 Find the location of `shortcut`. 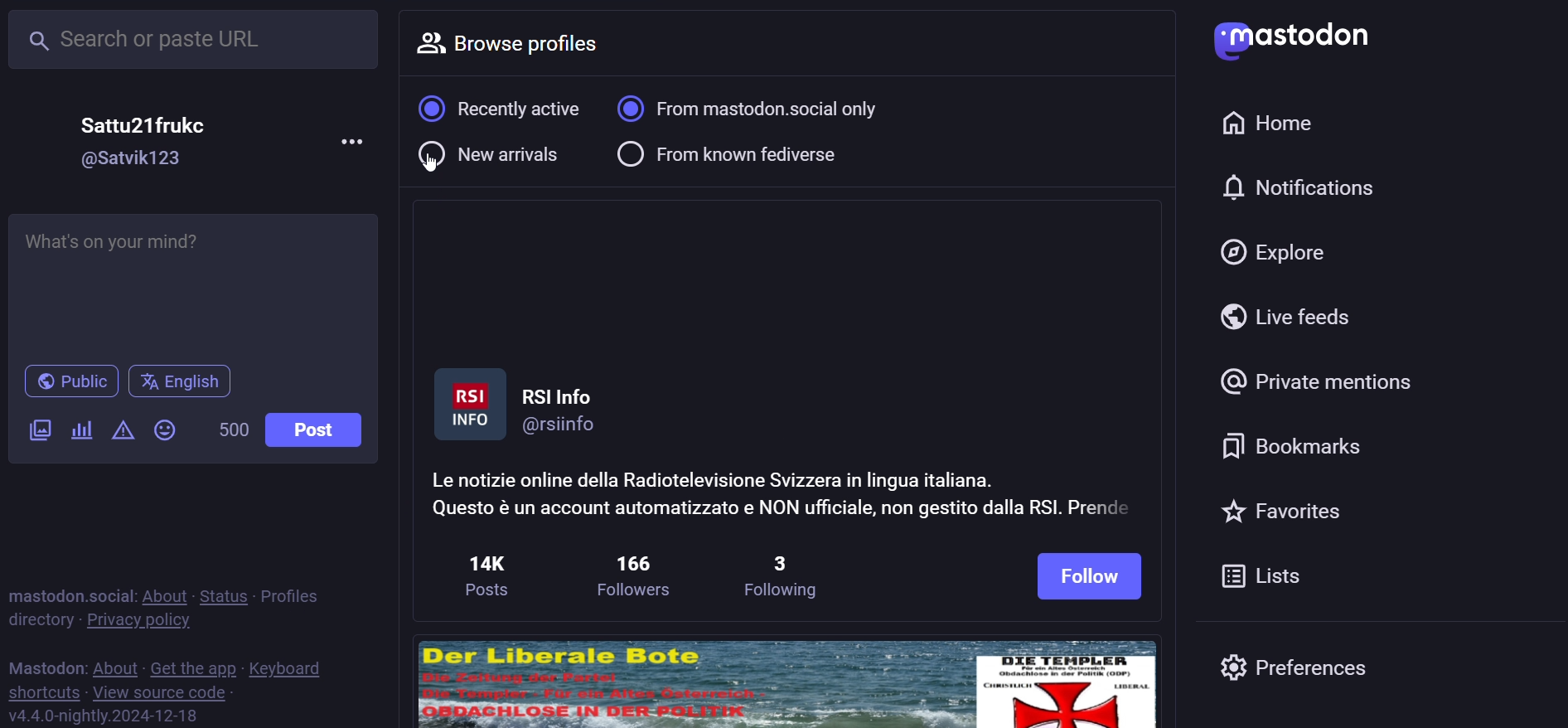

shortcut is located at coordinates (38, 693).